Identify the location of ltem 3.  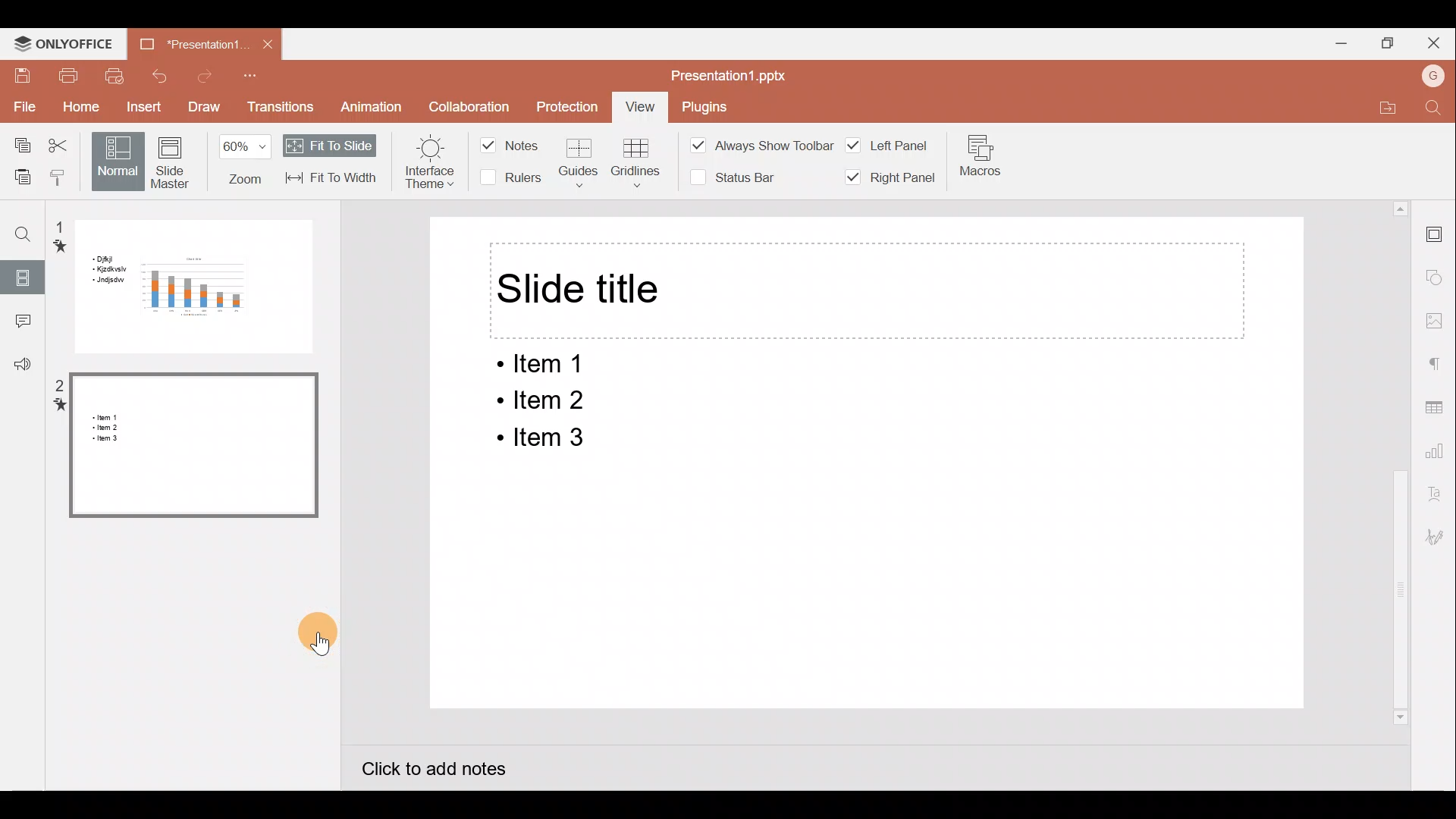
(540, 439).